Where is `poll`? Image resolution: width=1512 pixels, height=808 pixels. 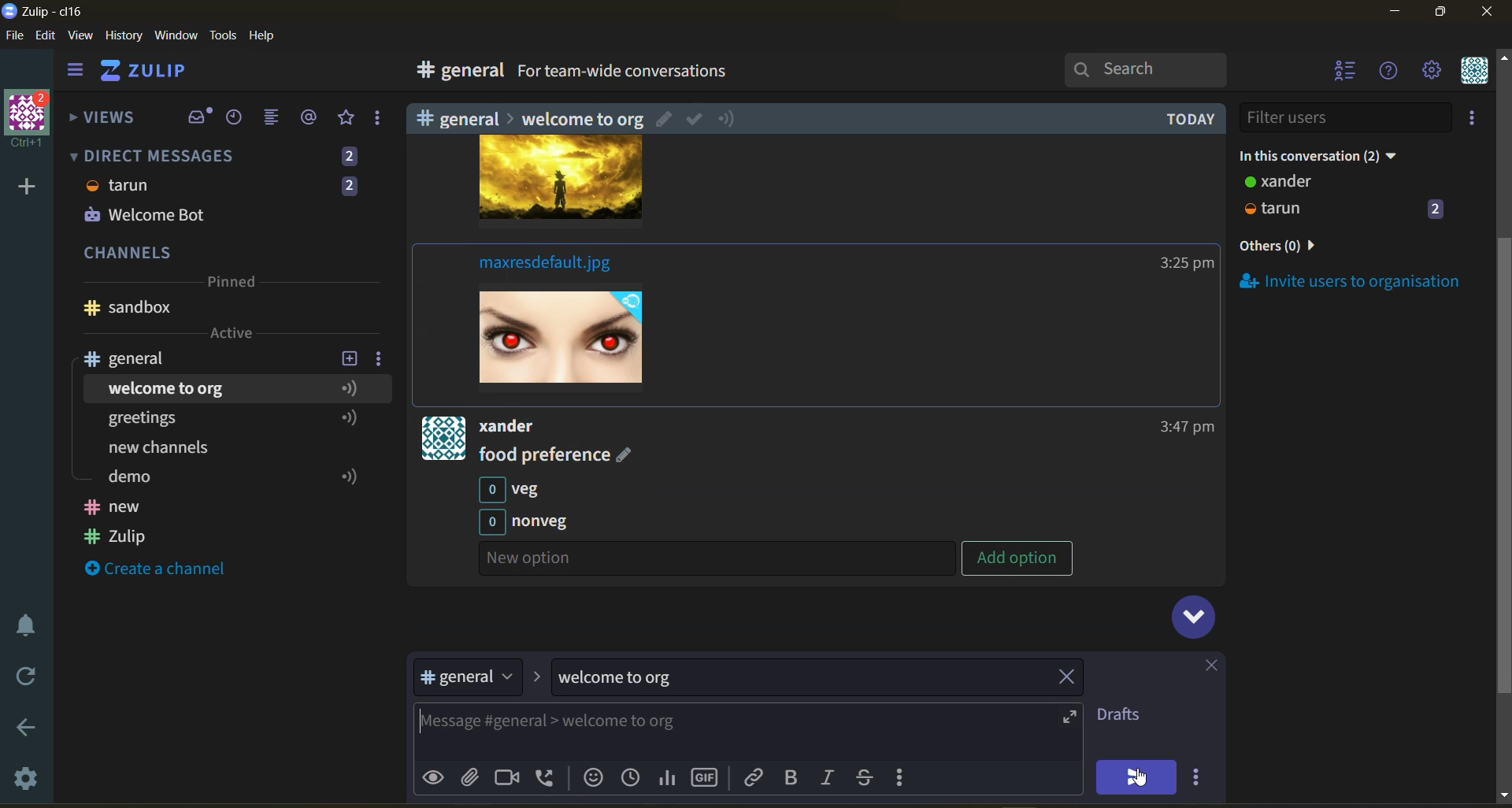
poll is located at coordinates (671, 778).